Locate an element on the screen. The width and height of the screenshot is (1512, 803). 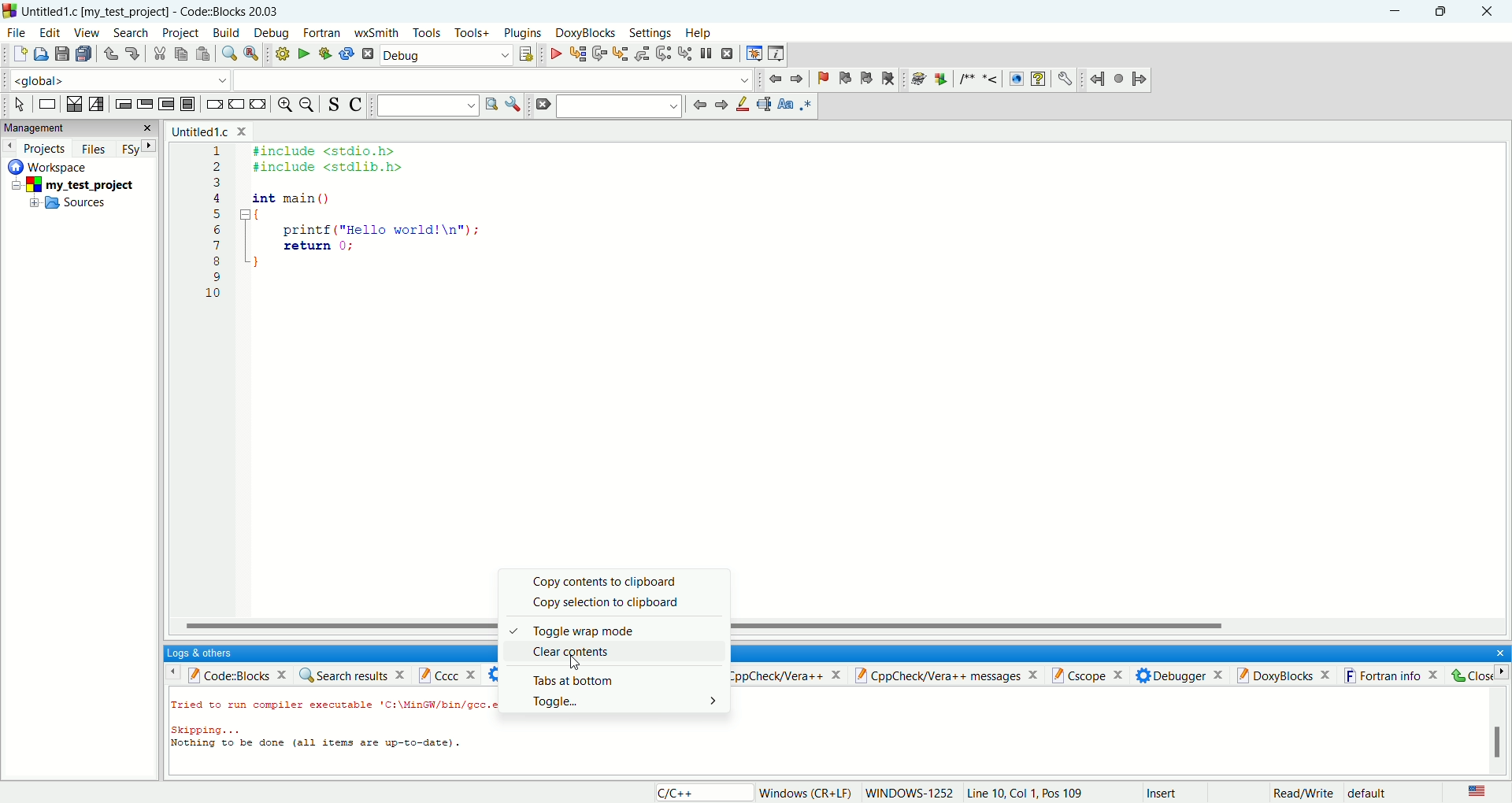
run search is located at coordinates (491, 105).